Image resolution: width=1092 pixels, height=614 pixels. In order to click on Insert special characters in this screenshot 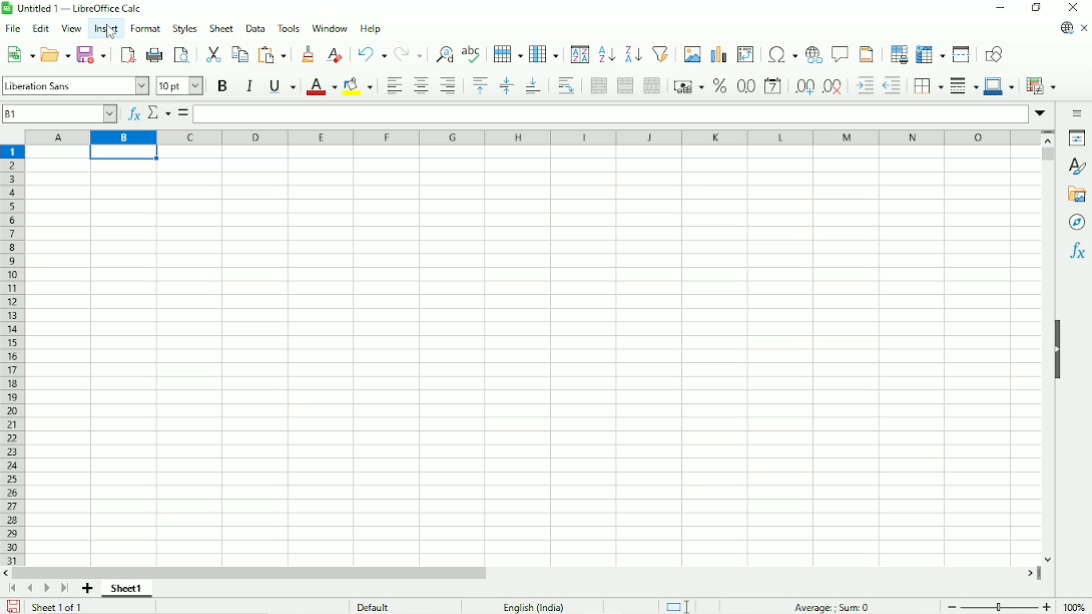, I will do `click(783, 53)`.